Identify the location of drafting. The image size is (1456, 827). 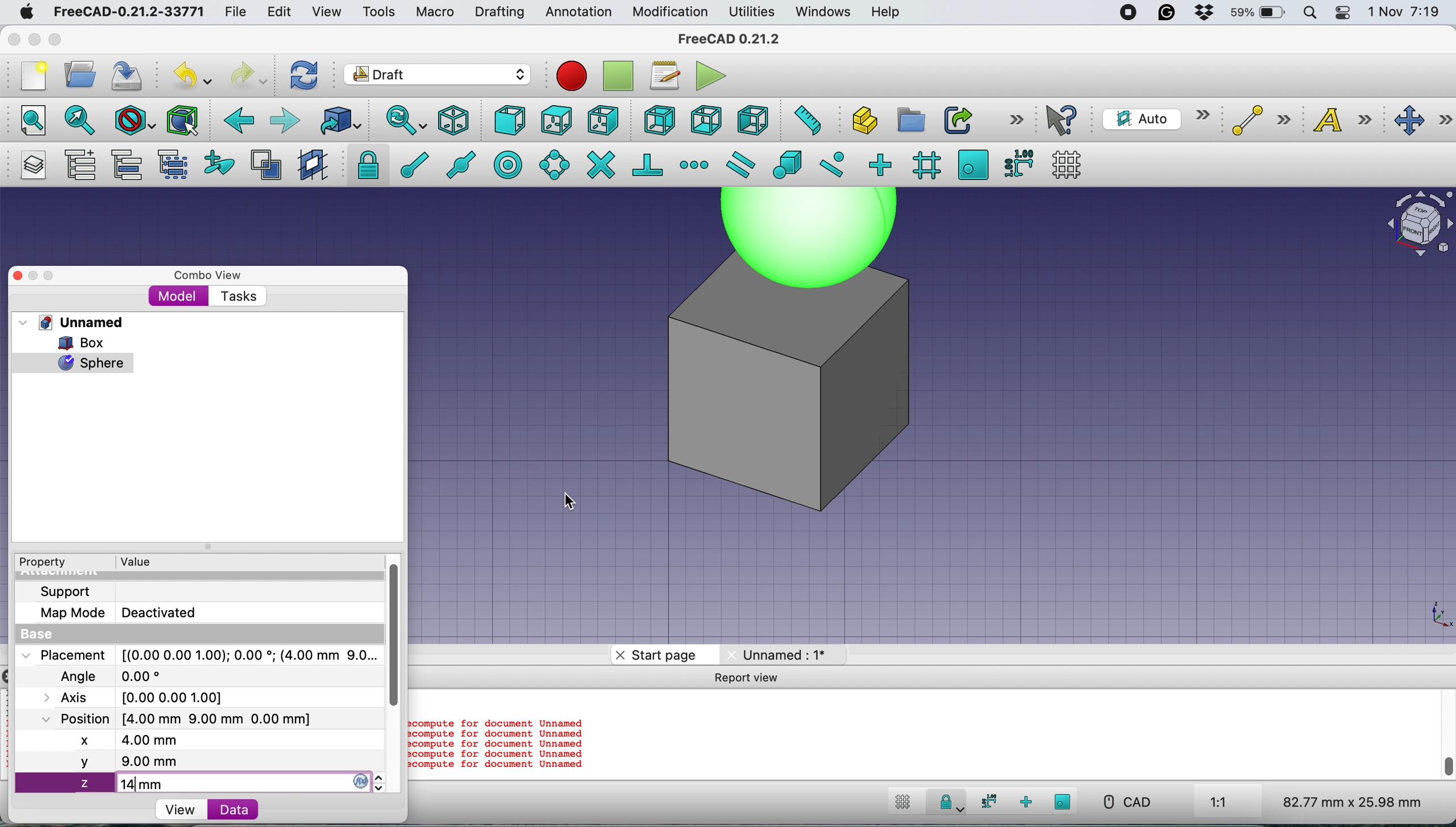
(499, 13).